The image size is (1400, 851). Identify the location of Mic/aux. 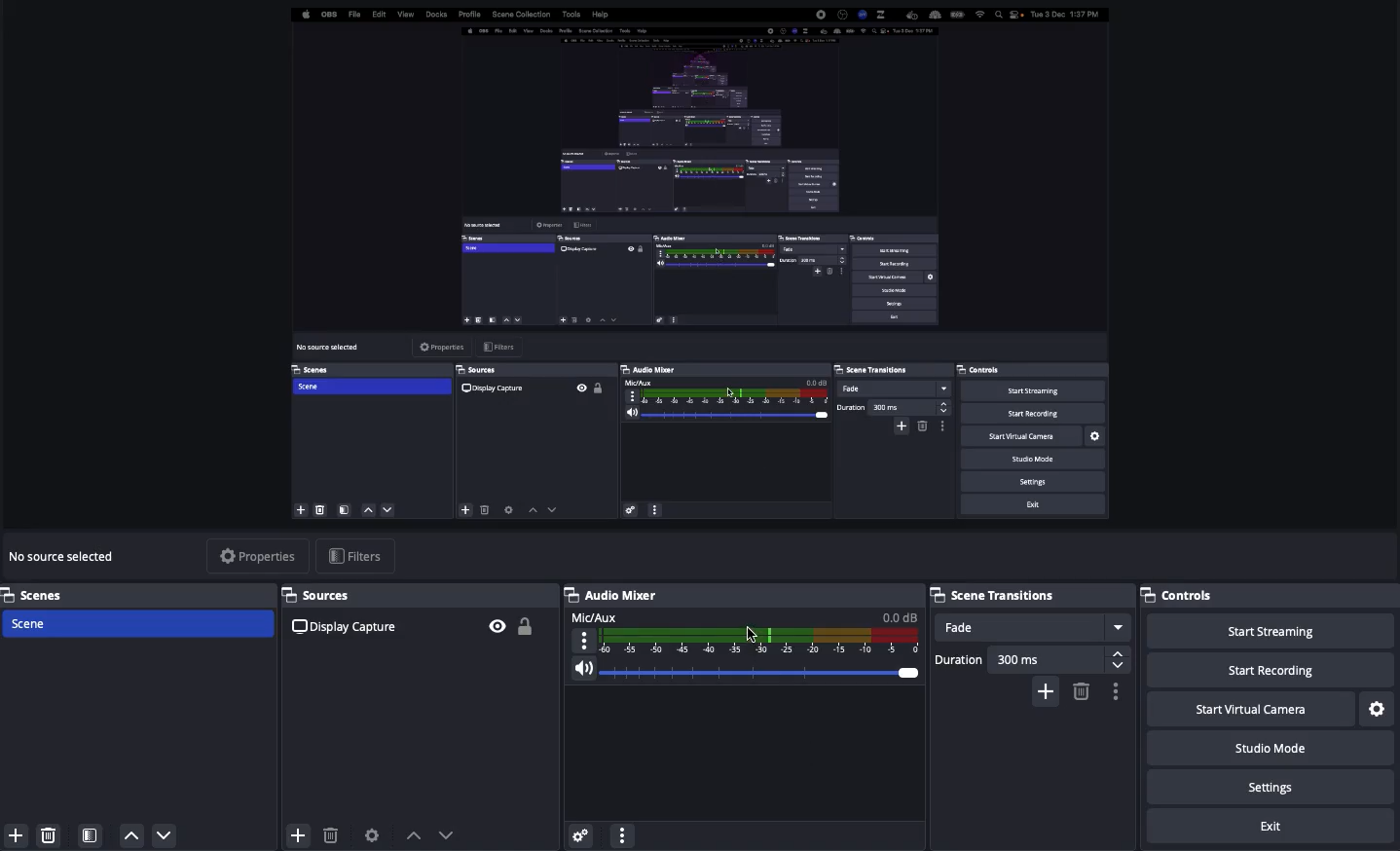
(746, 632).